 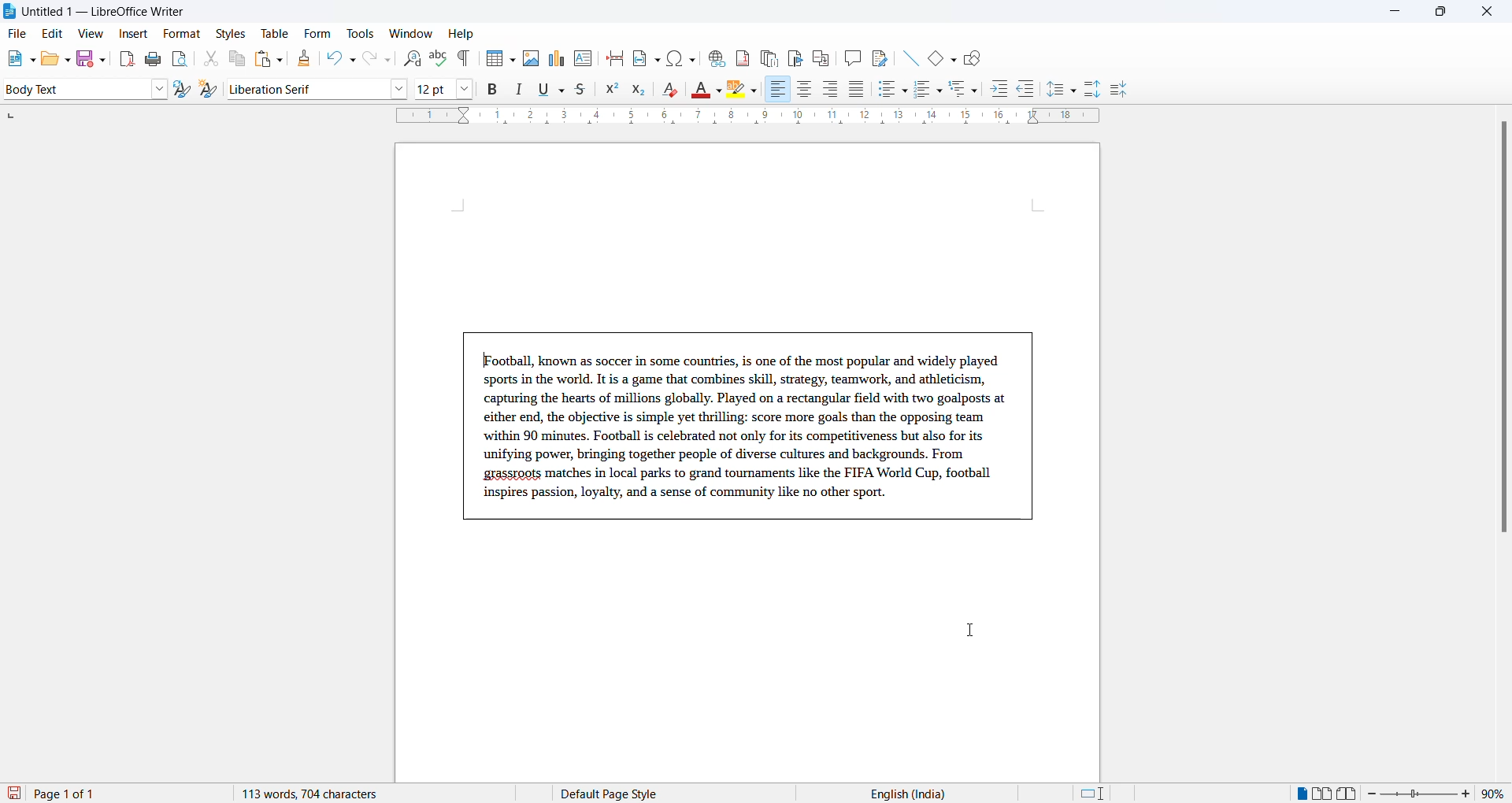 I want to click on insert chart, so click(x=556, y=60).